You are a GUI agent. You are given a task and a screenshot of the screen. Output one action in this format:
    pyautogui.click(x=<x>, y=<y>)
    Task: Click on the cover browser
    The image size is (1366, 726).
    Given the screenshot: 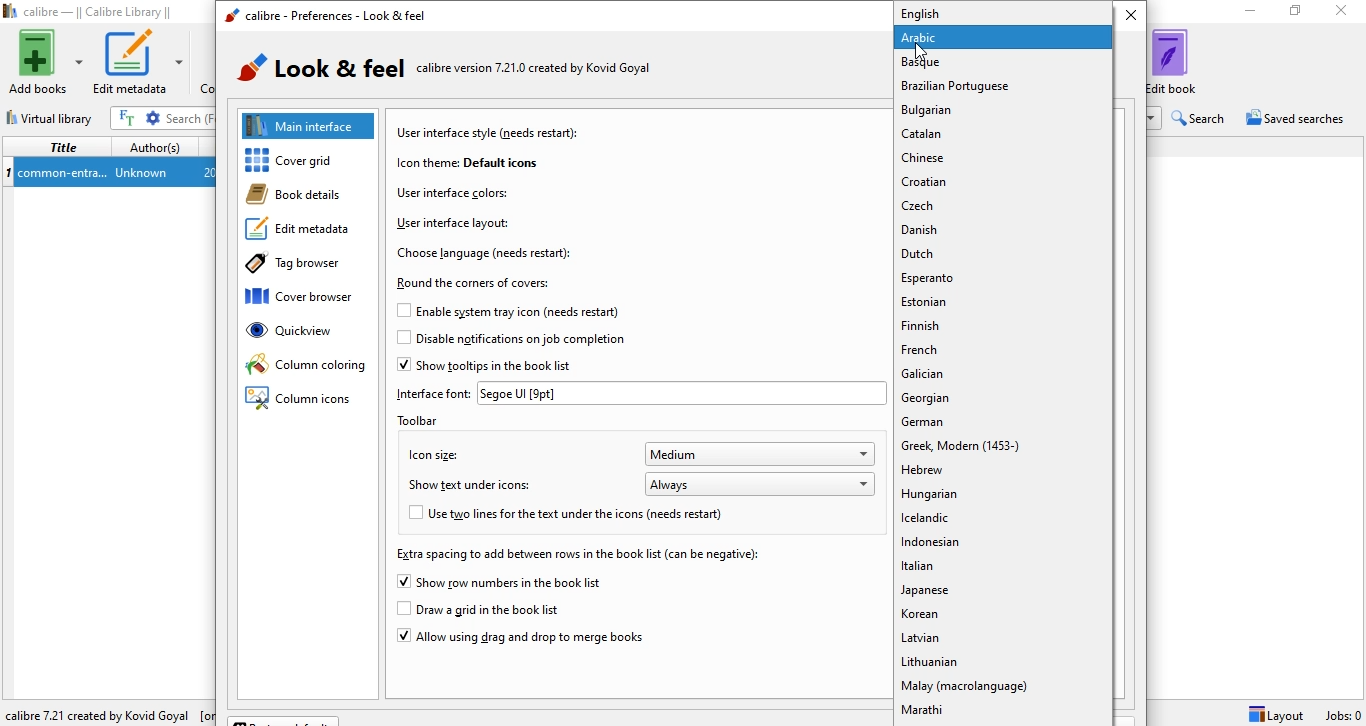 What is the action you would take?
    pyautogui.click(x=309, y=299)
    